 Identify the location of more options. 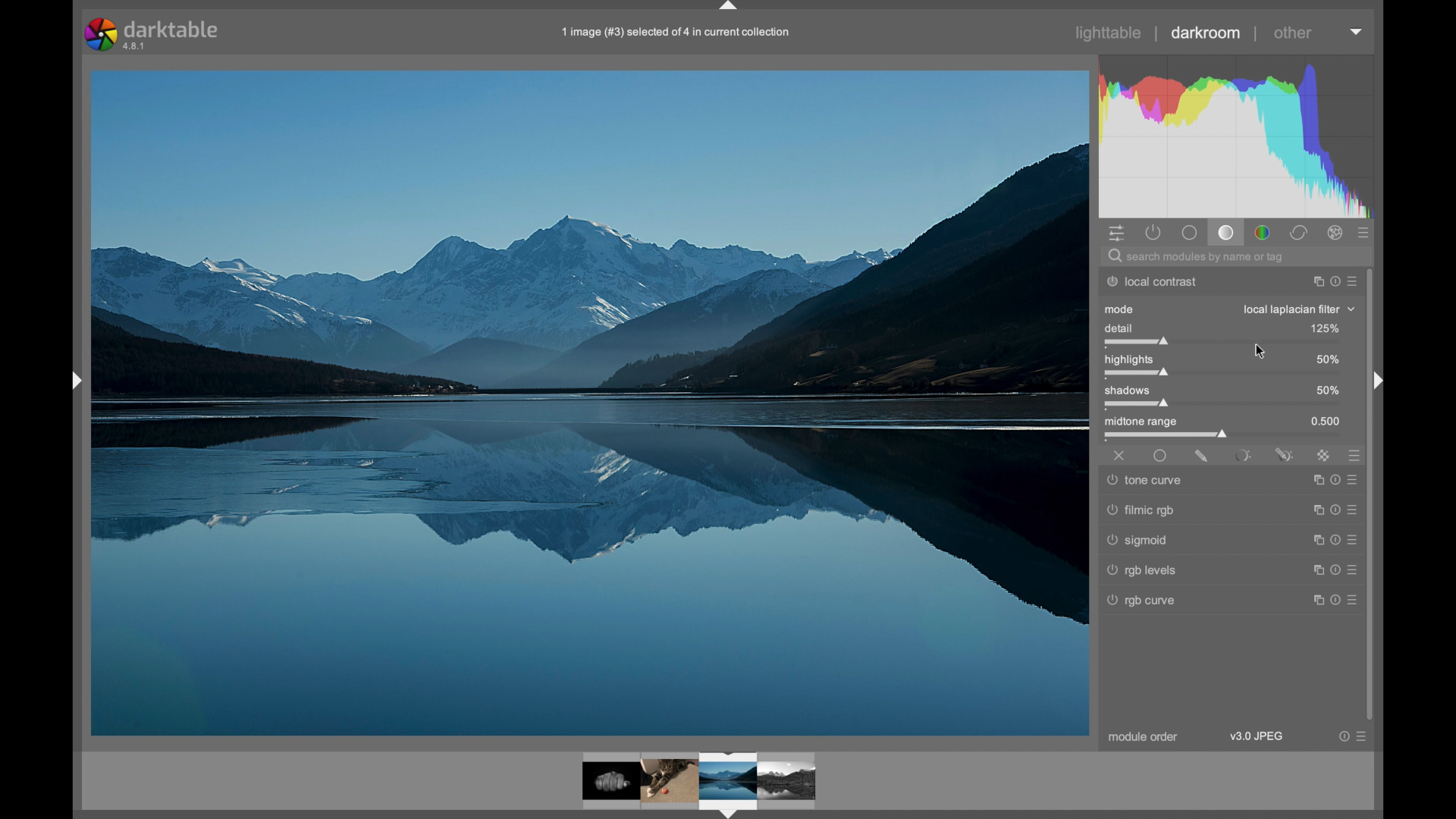
(1334, 537).